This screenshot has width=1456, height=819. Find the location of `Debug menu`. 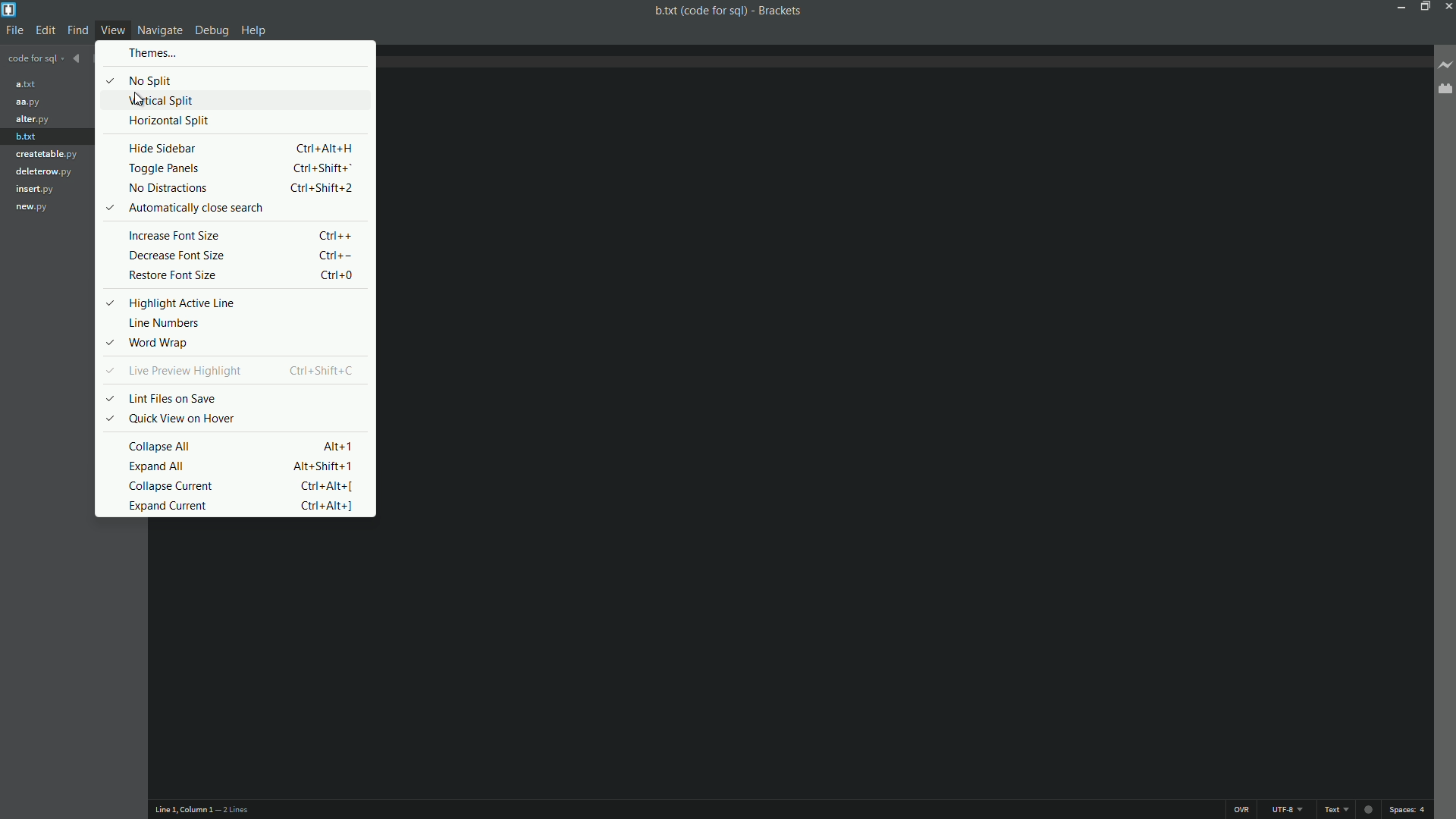

Debug menu is located at coordinates (215, 30).